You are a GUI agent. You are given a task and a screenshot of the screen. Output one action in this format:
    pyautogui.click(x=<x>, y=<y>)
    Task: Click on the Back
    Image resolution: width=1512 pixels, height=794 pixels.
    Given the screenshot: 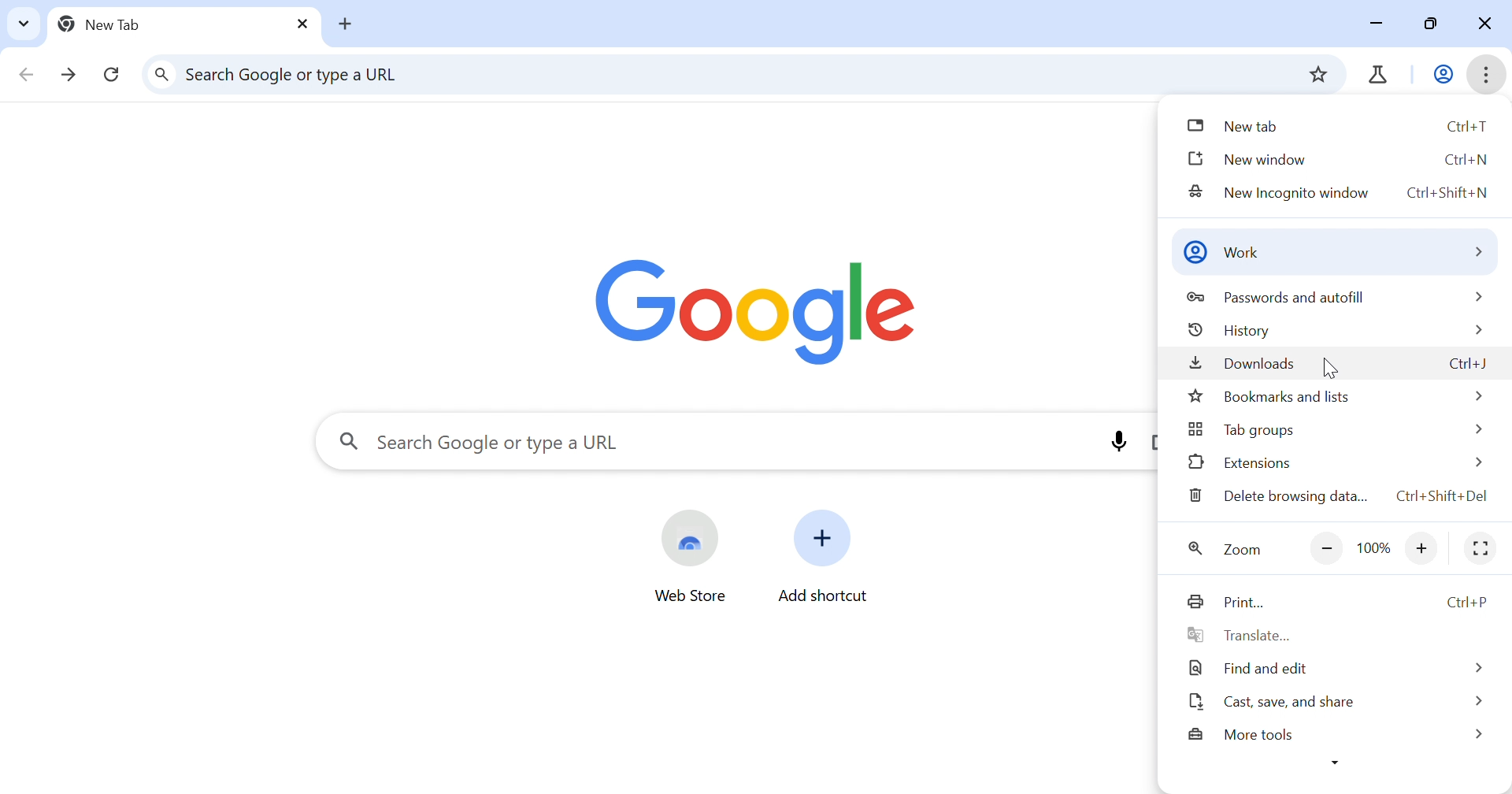 What is the action you would take?
    pyautogui.click(x=26, y=78)
    